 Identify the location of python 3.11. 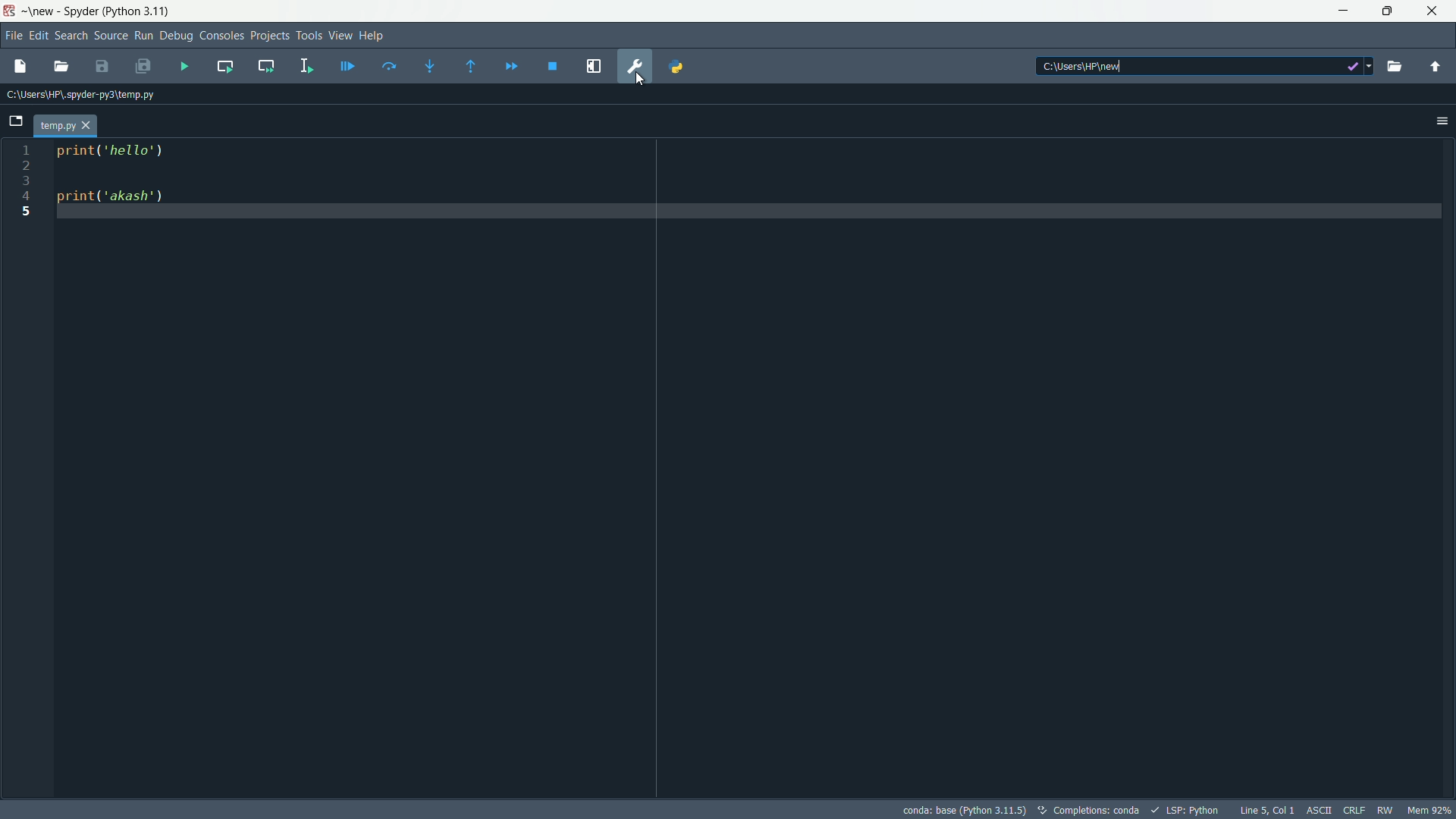
(136, 12).